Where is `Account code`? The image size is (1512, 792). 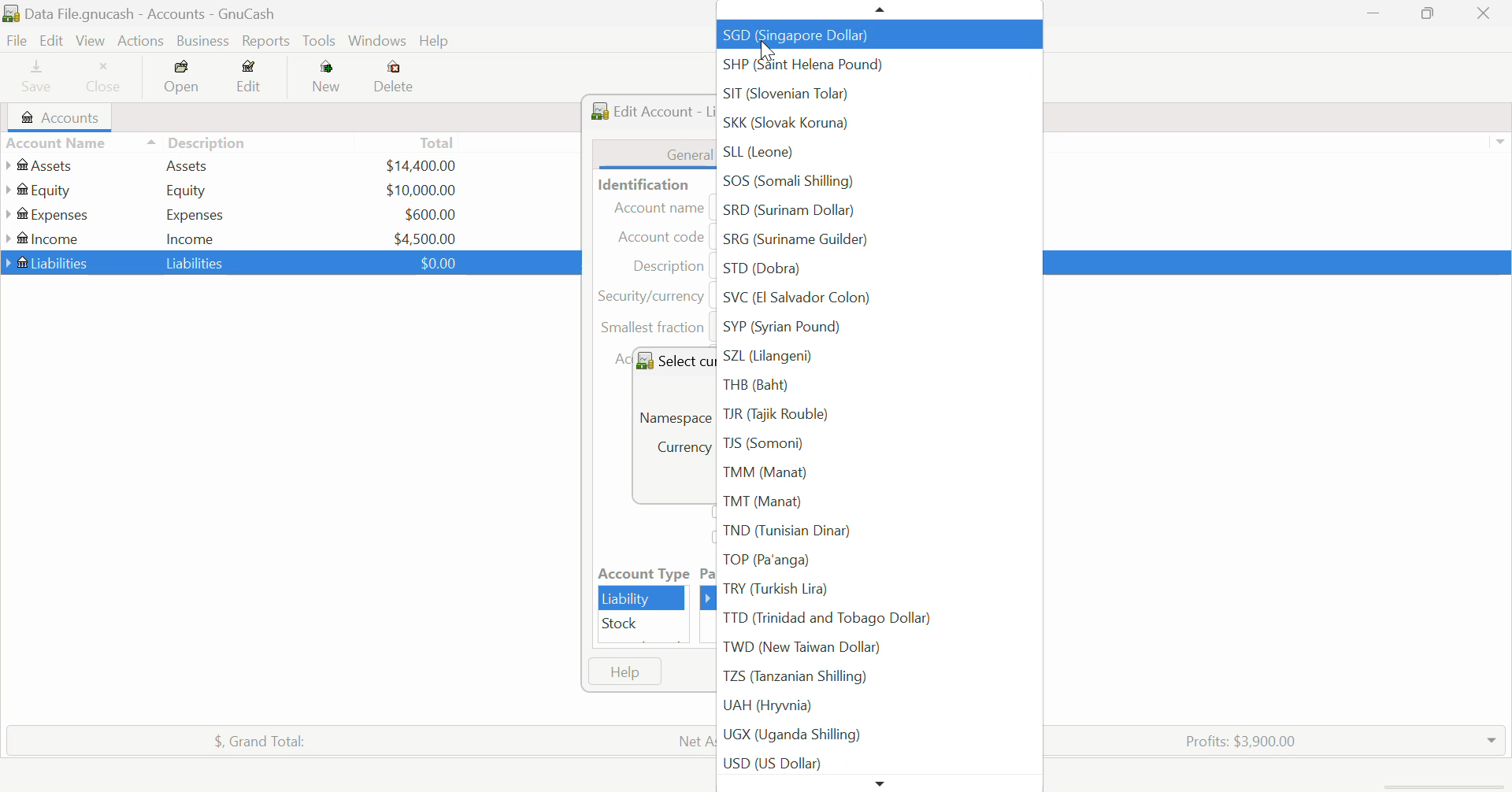 Account code is located at coordinates (665, 238).